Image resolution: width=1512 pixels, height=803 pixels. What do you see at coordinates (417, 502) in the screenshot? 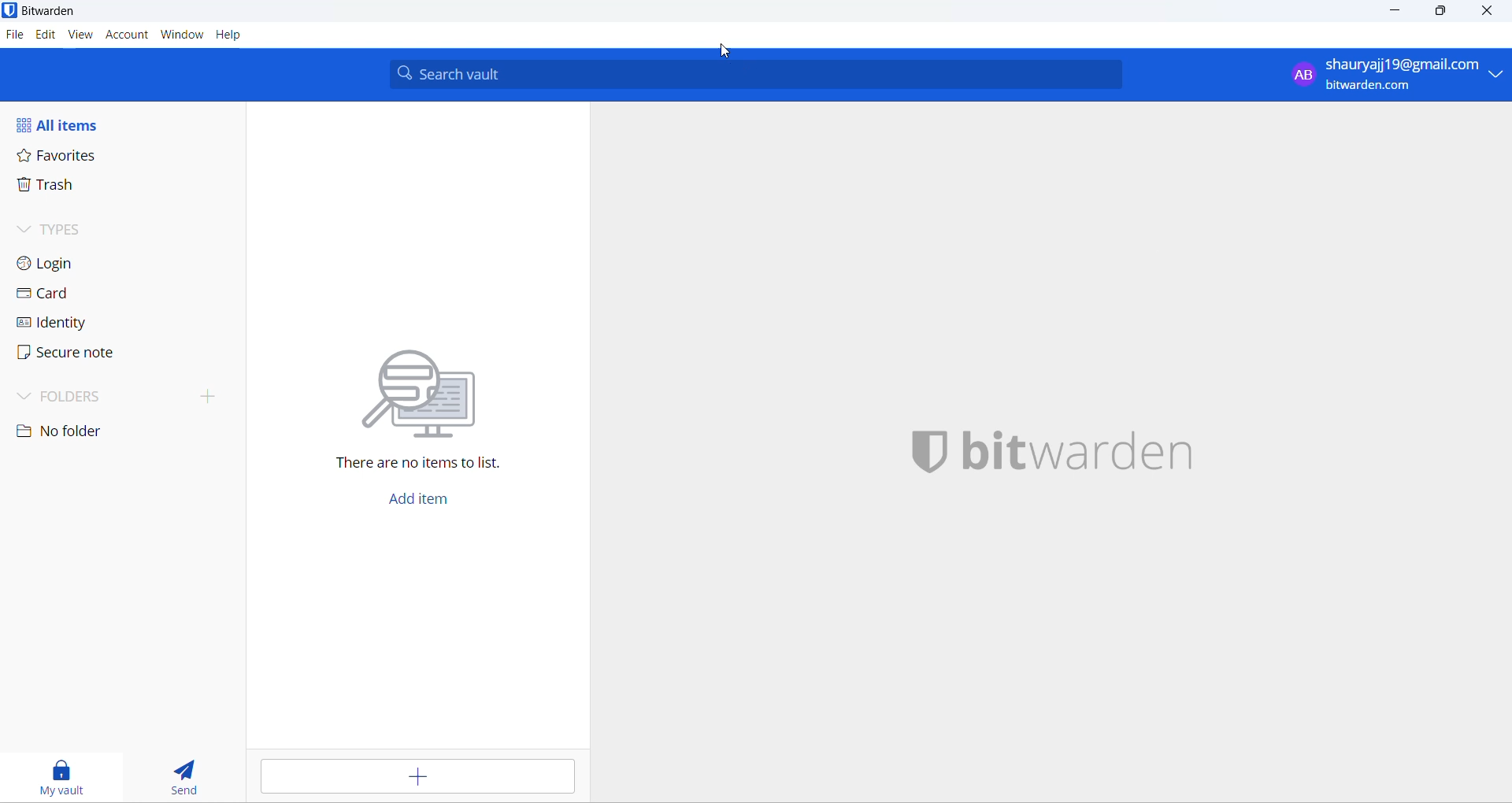
I see `add item button` at bounding box center [417, 502].